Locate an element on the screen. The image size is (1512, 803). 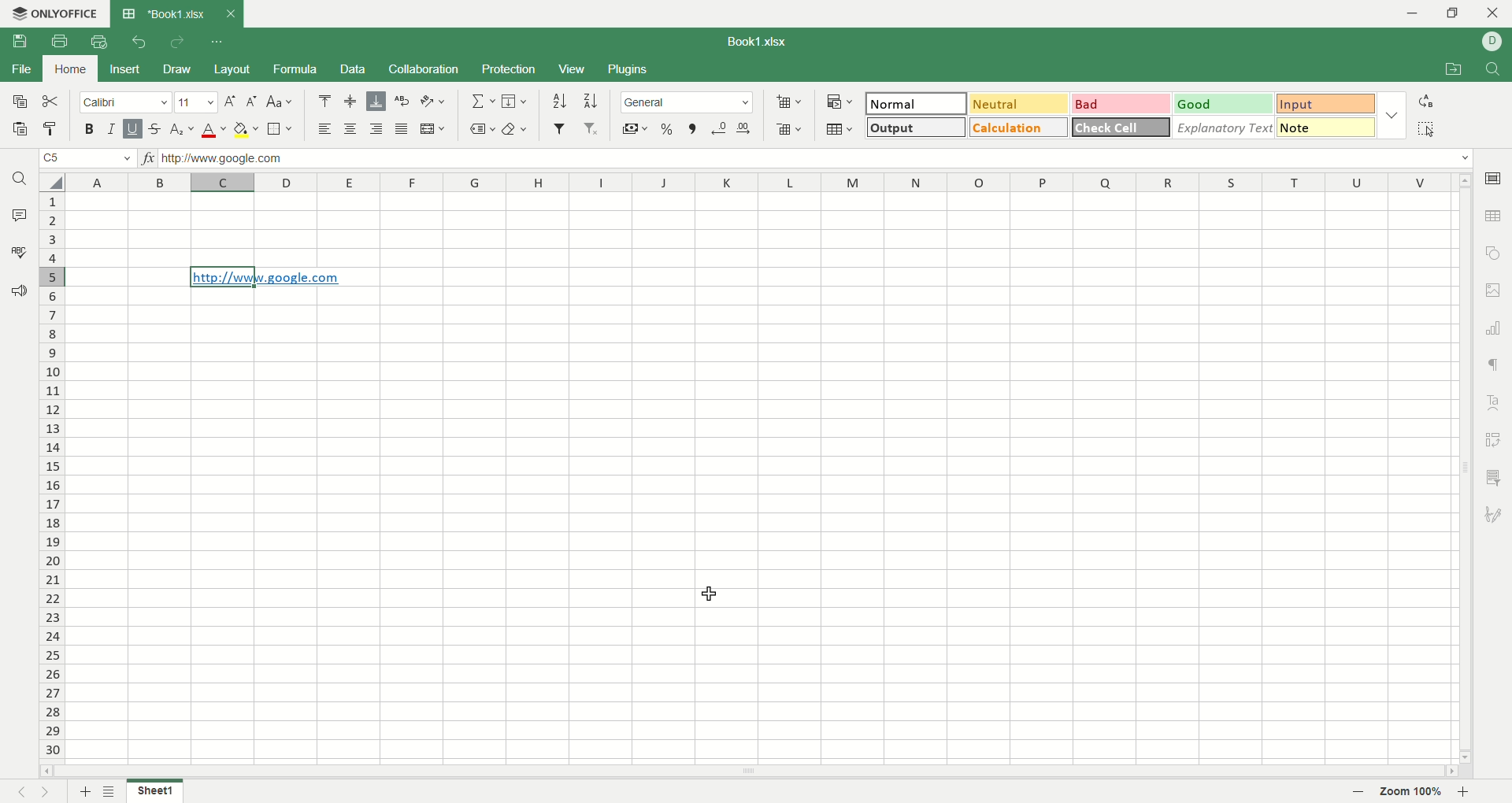
table settings is located at coordinates (1495, 217).